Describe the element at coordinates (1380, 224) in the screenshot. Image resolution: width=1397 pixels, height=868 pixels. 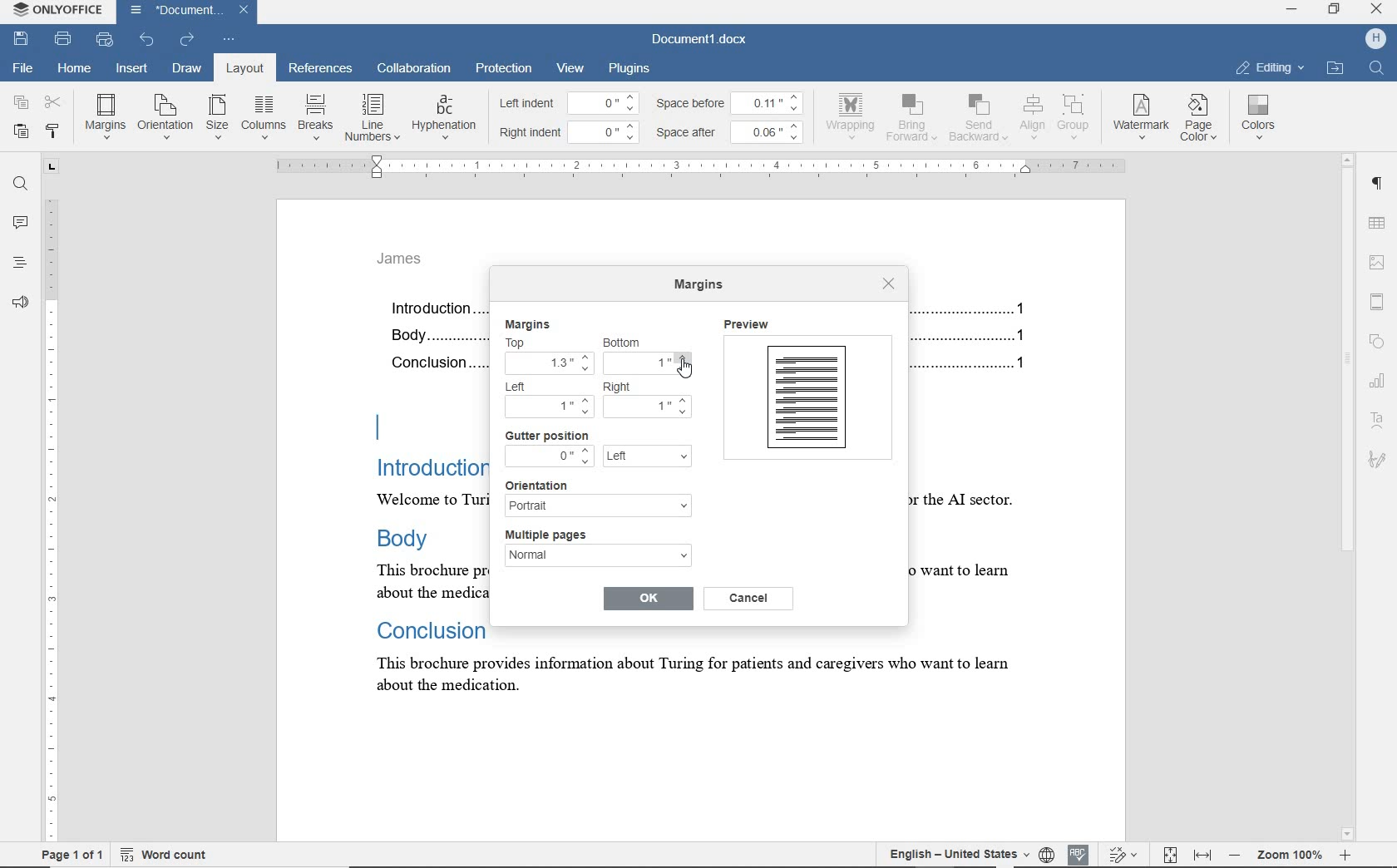
I see `table` at that location.